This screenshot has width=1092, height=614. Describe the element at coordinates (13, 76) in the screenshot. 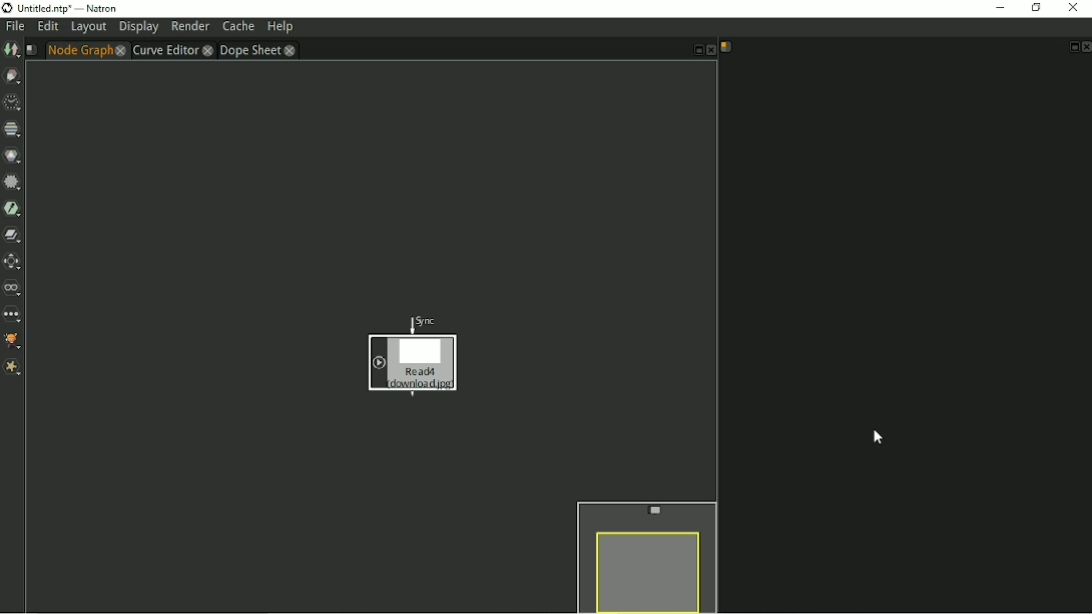

I see `Draw` at that location.